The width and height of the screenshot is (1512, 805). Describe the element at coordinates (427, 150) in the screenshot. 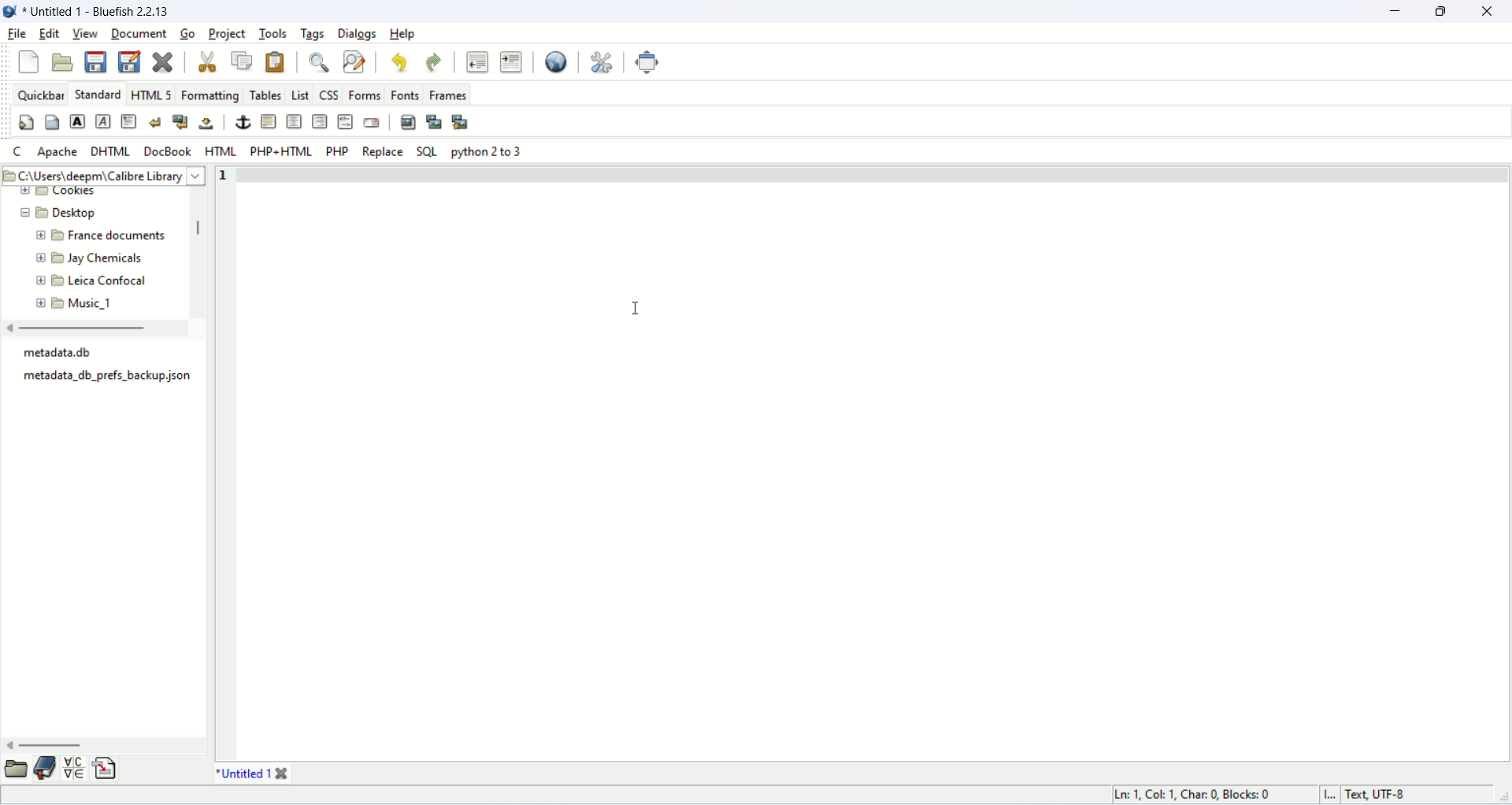

I see `SQL` at that location.